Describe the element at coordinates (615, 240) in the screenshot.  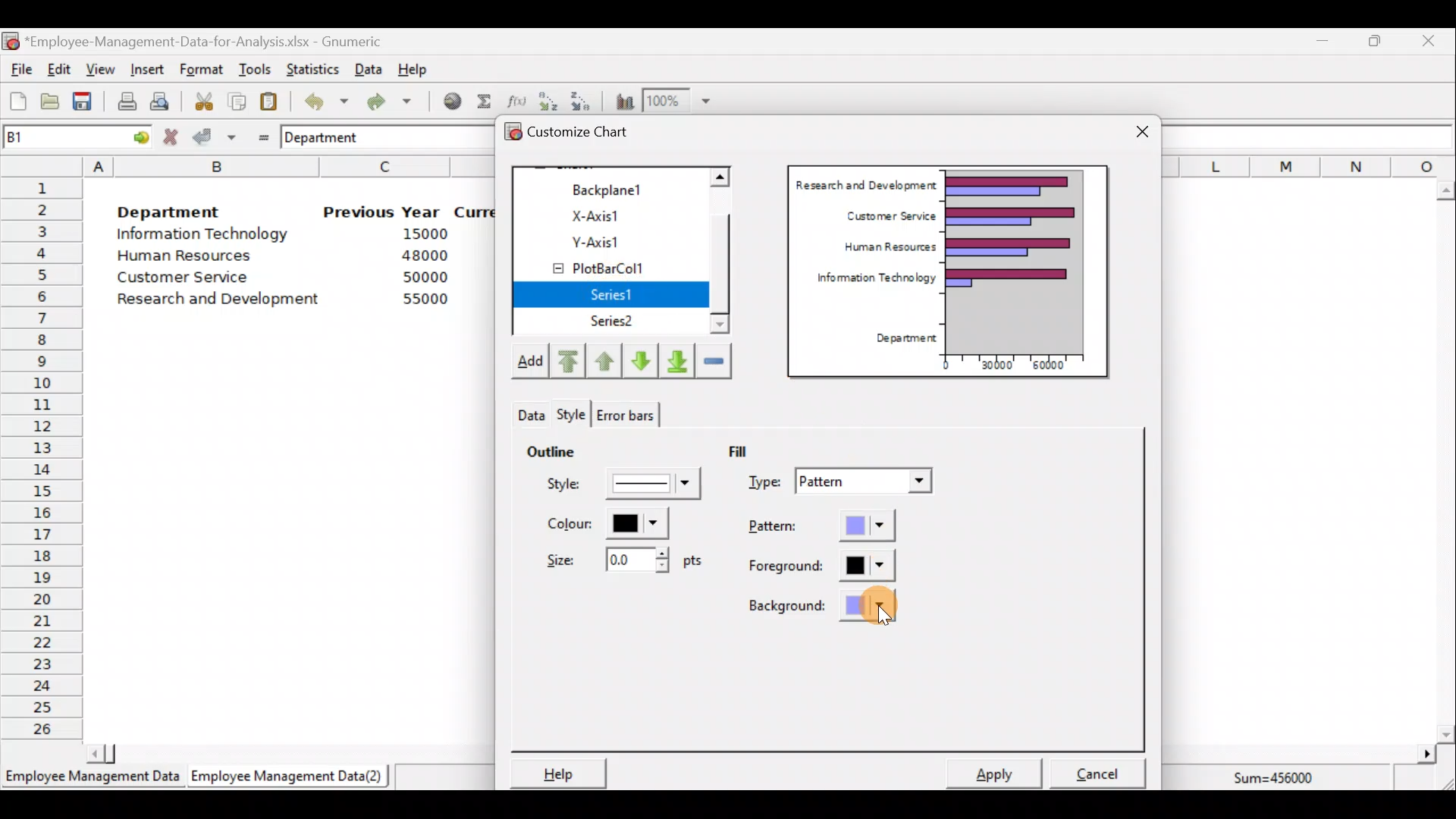
I see `Y-axis1` at that location.